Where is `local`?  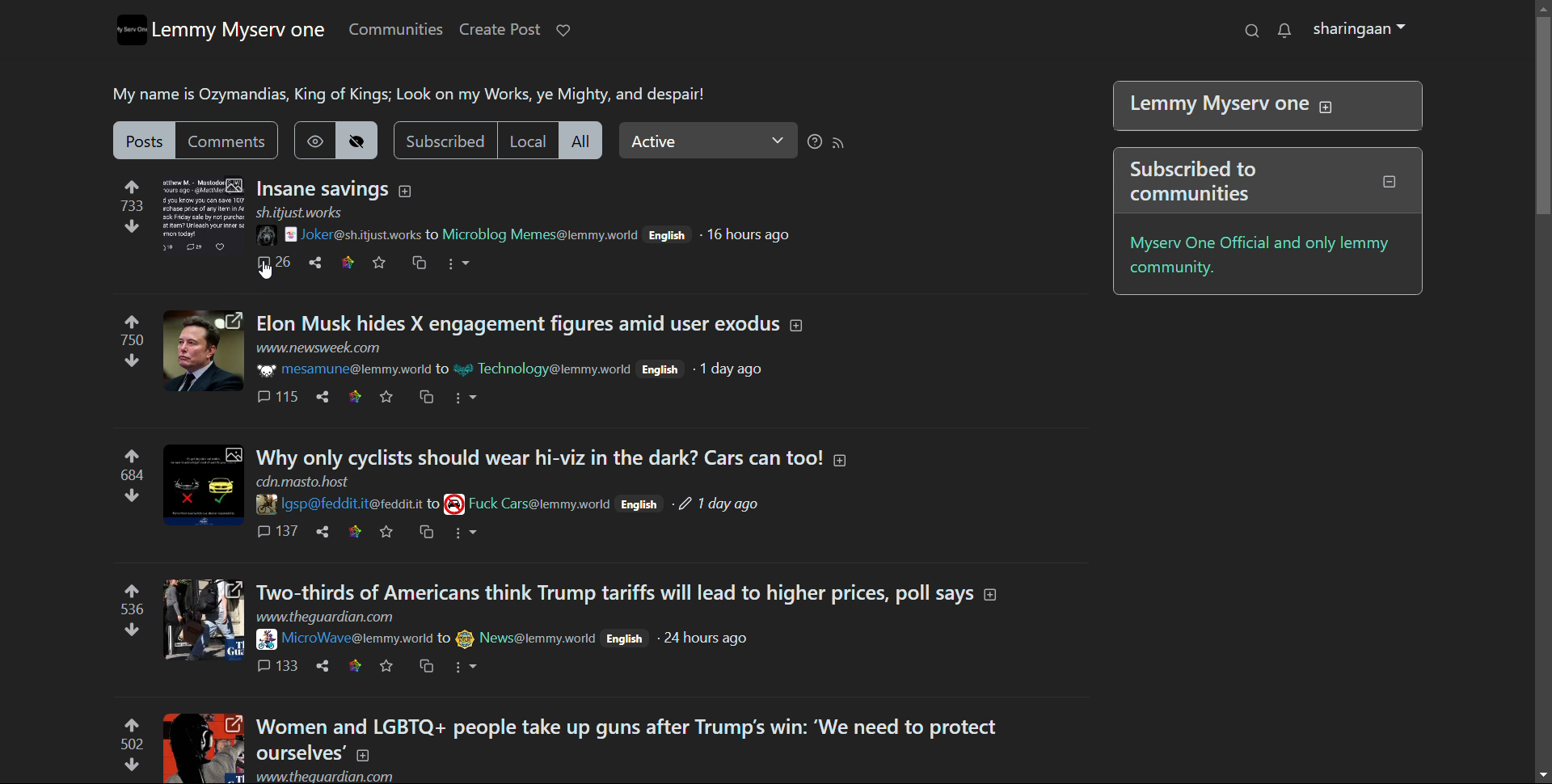 local is located at coordinates (525, 140).